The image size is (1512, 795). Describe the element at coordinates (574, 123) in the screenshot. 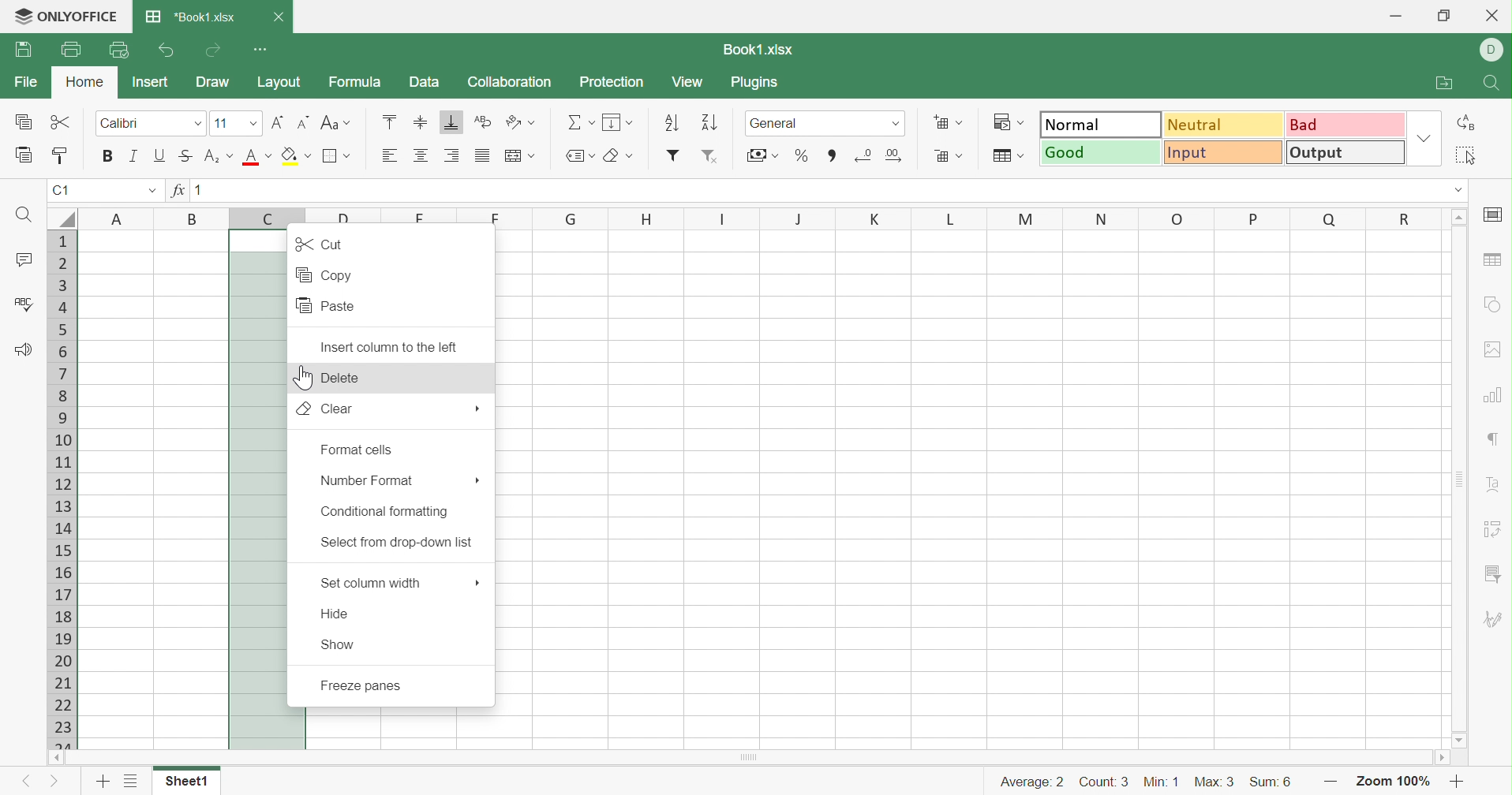

I see `Summation` at that location.